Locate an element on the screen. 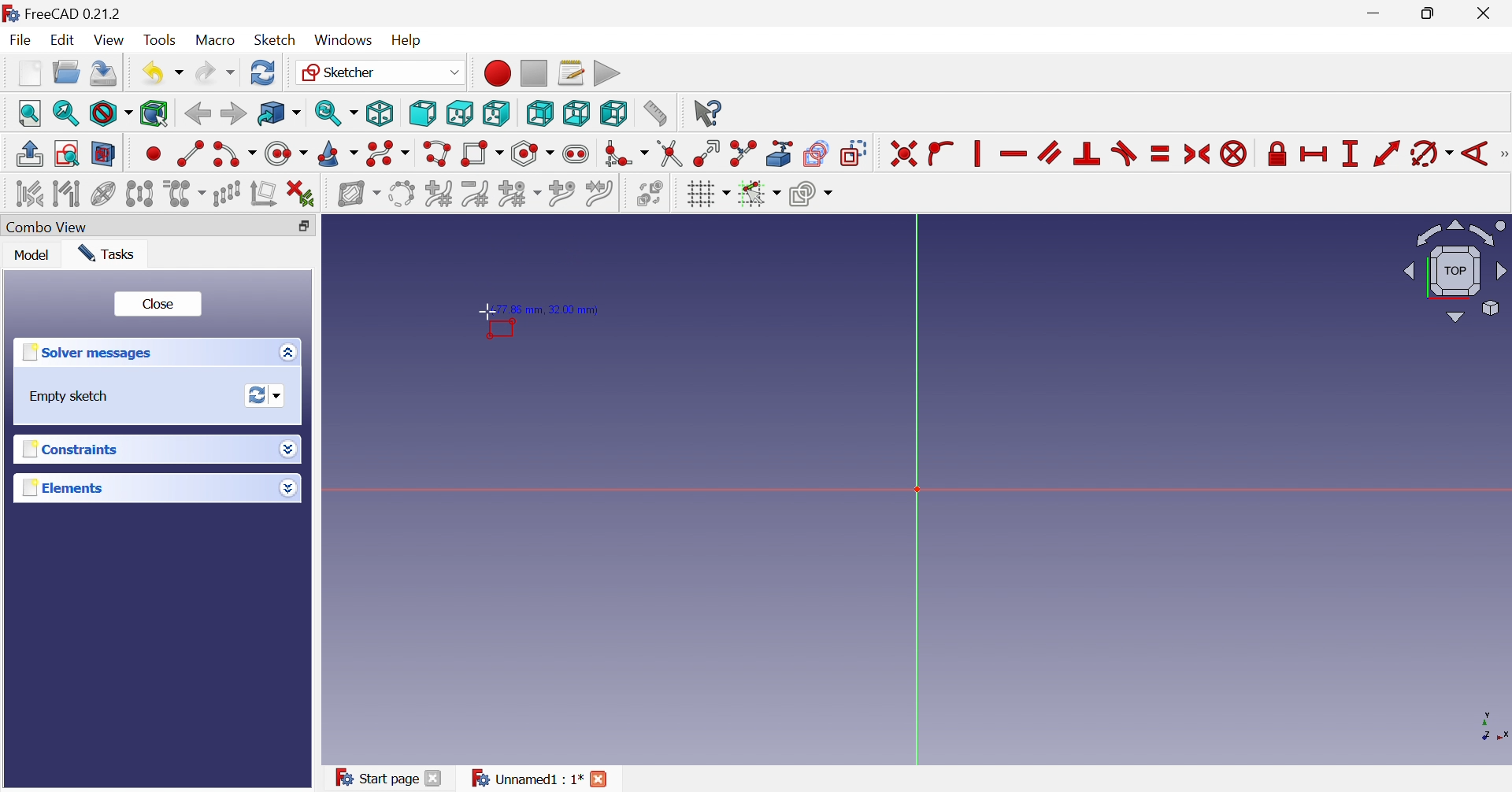 This screenshot has width=1512, height=792. Help is located at coordinates (406, 39).